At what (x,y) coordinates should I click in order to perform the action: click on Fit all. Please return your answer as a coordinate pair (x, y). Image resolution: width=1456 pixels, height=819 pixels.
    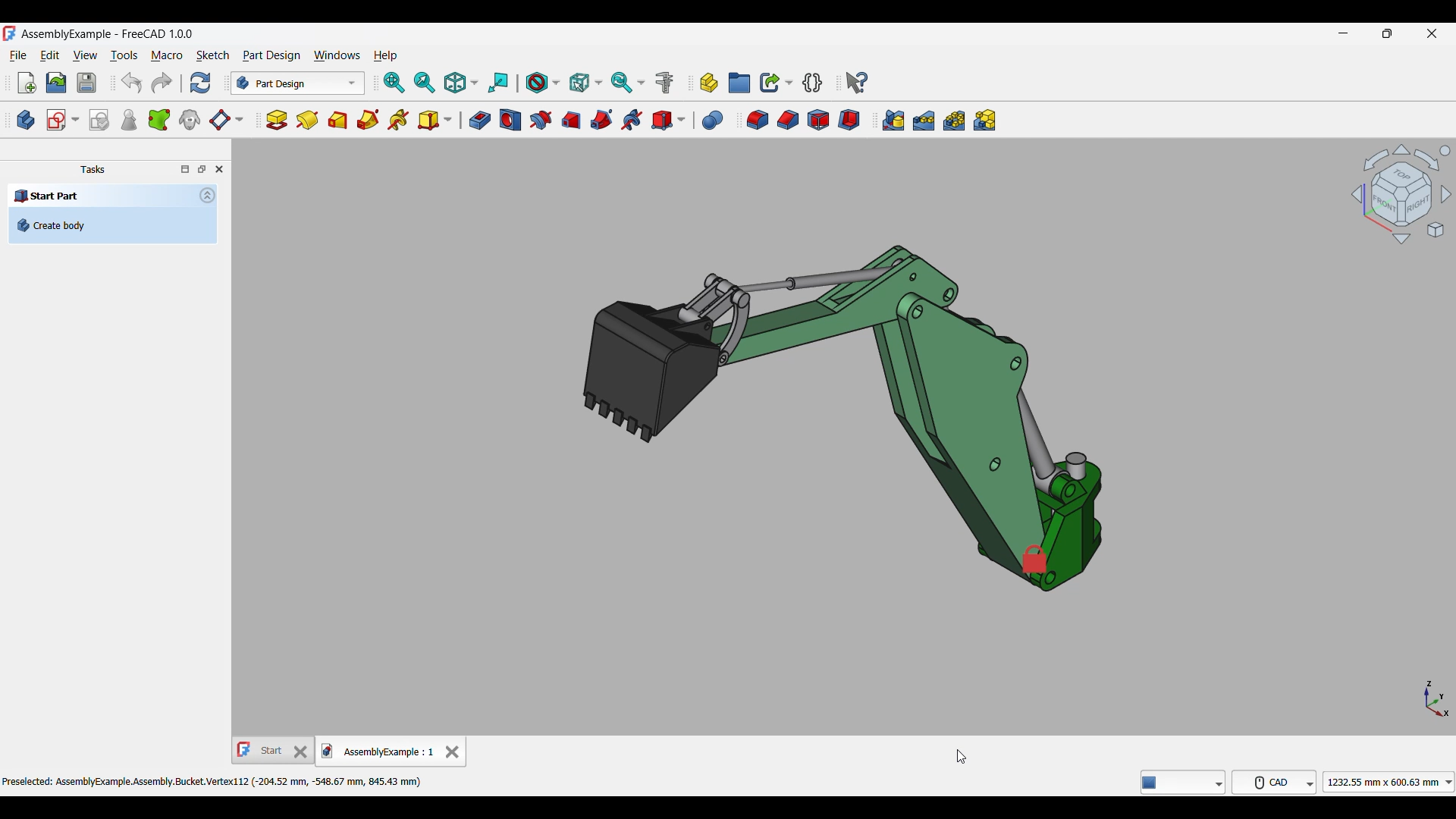
    Looking at the image, I should click on (395, 83).